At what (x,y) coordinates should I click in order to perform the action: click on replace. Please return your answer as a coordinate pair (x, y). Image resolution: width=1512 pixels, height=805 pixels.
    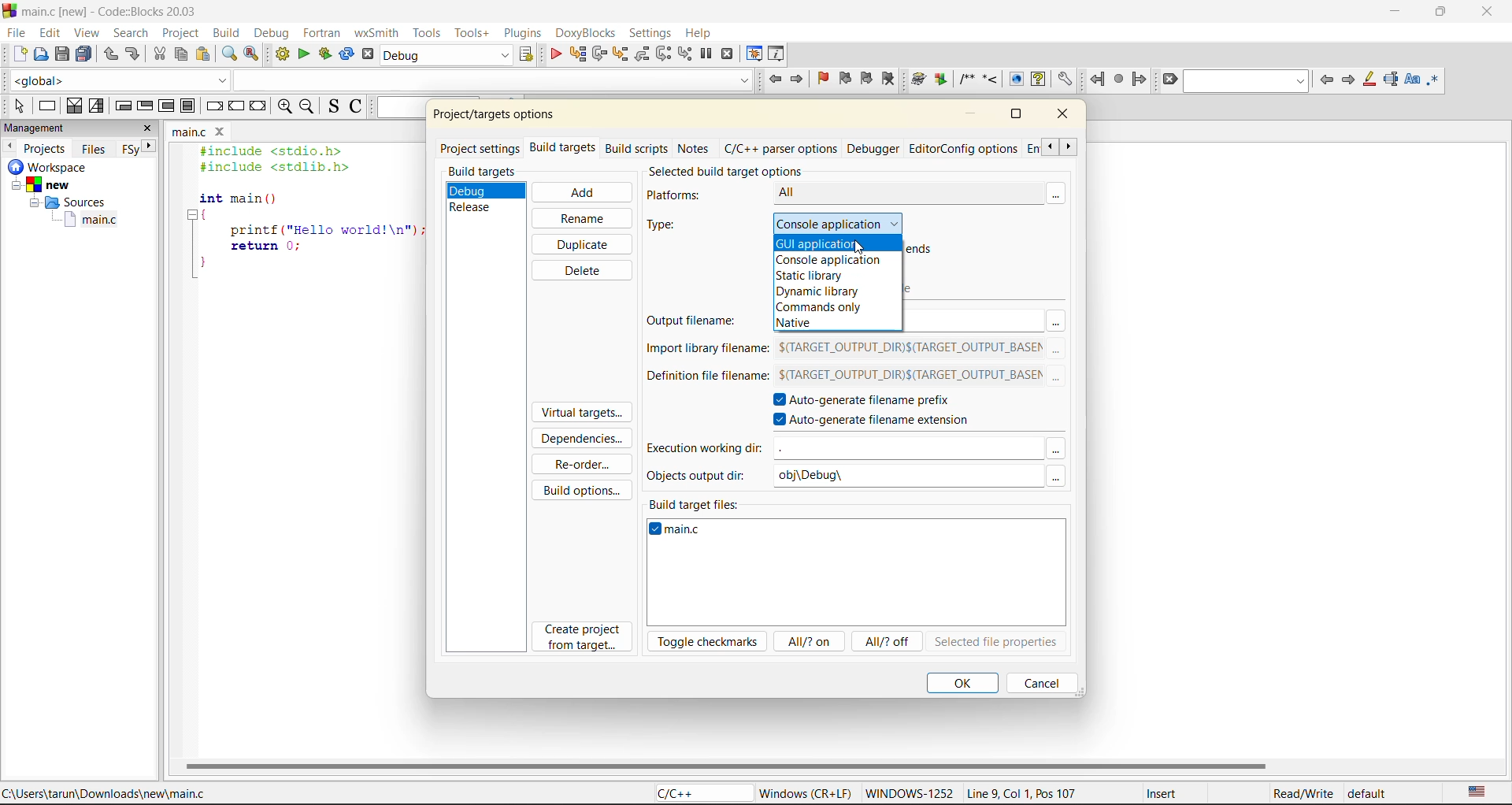
    Looking at the image, I should click on (254, 54).